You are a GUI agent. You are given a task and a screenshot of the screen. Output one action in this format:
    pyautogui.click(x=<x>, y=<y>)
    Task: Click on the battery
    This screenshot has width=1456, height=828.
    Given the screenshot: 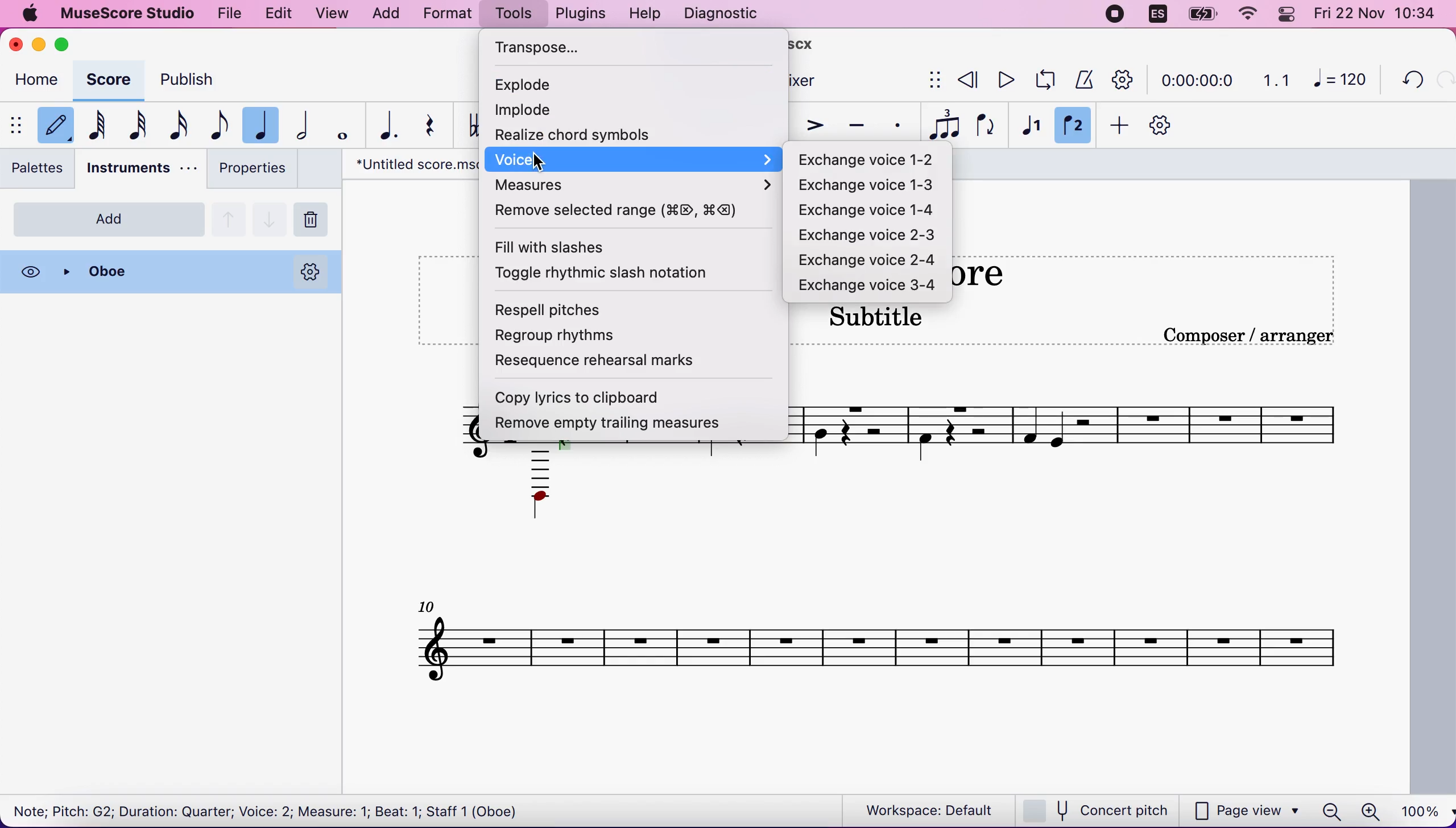 What is the action you would take?
    pyautogui.click(x=1199, y=15)
    